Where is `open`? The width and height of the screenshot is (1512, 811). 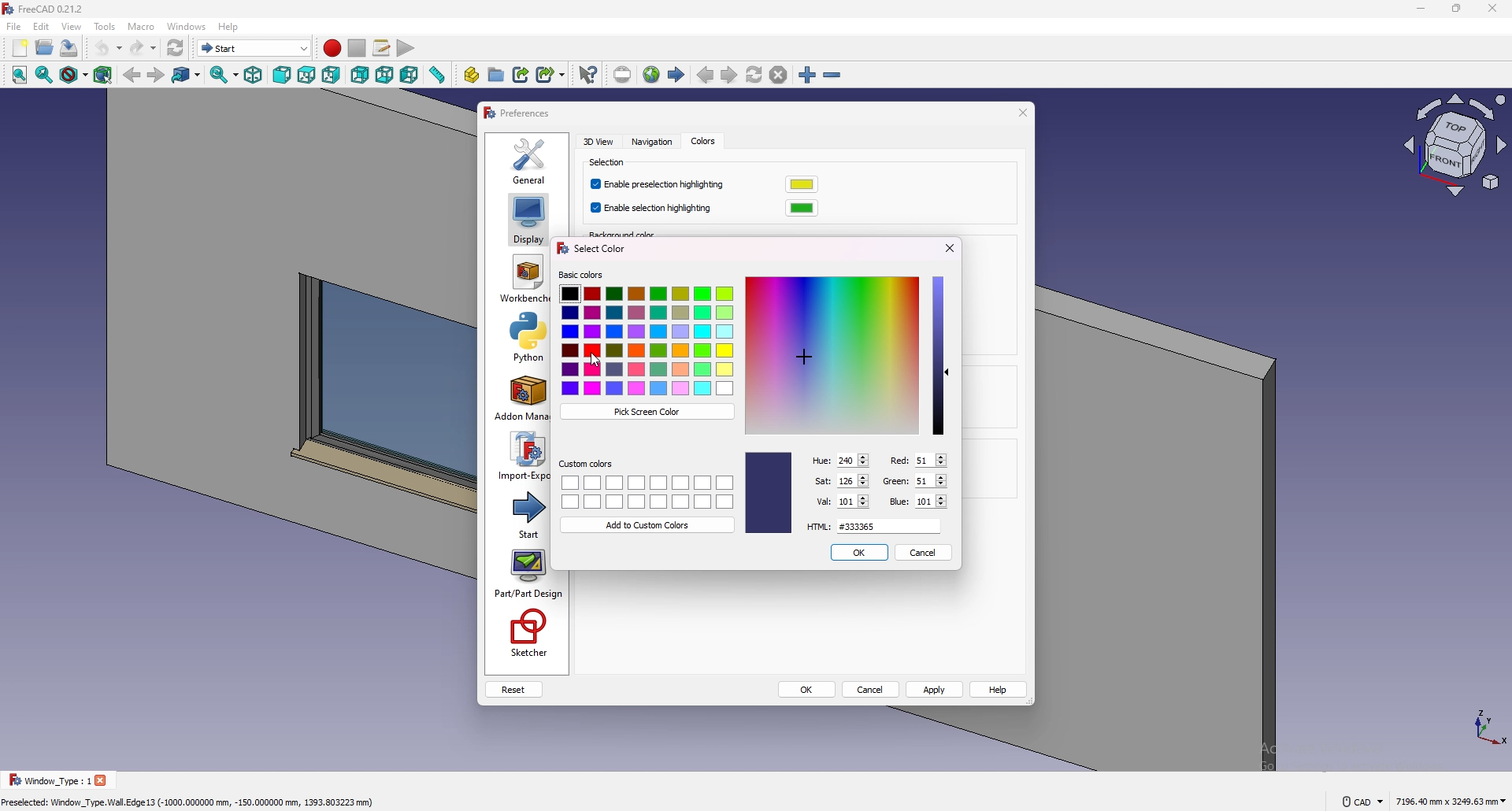 open is located at coordinates (46, 47).